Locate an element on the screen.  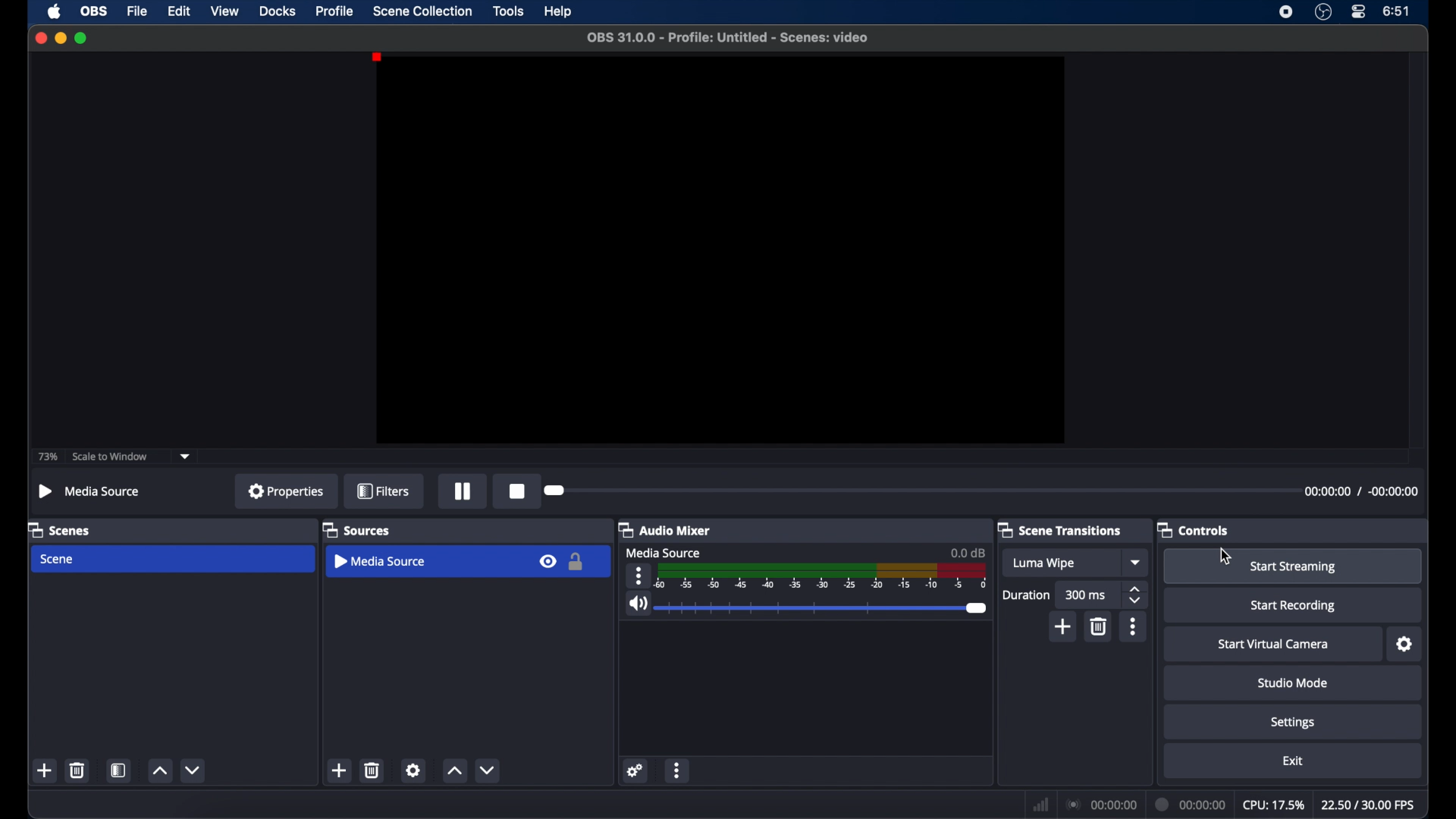
increment is located at coordinates (159, 770).